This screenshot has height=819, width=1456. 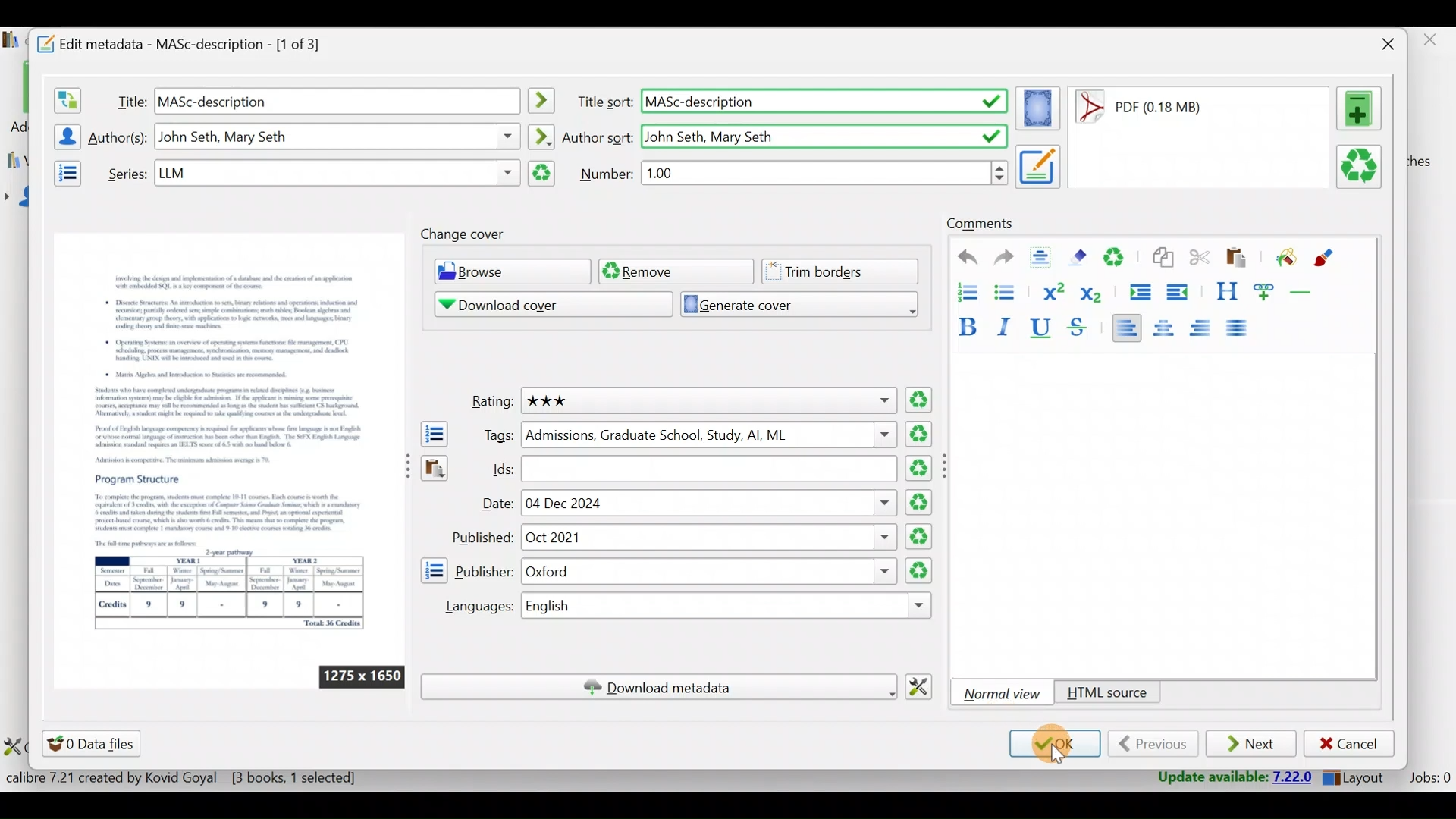 What do you see at coordinates (1138, 290) in the screenshot?
I see `Increase indentation` at bounding box center [1138, 290].